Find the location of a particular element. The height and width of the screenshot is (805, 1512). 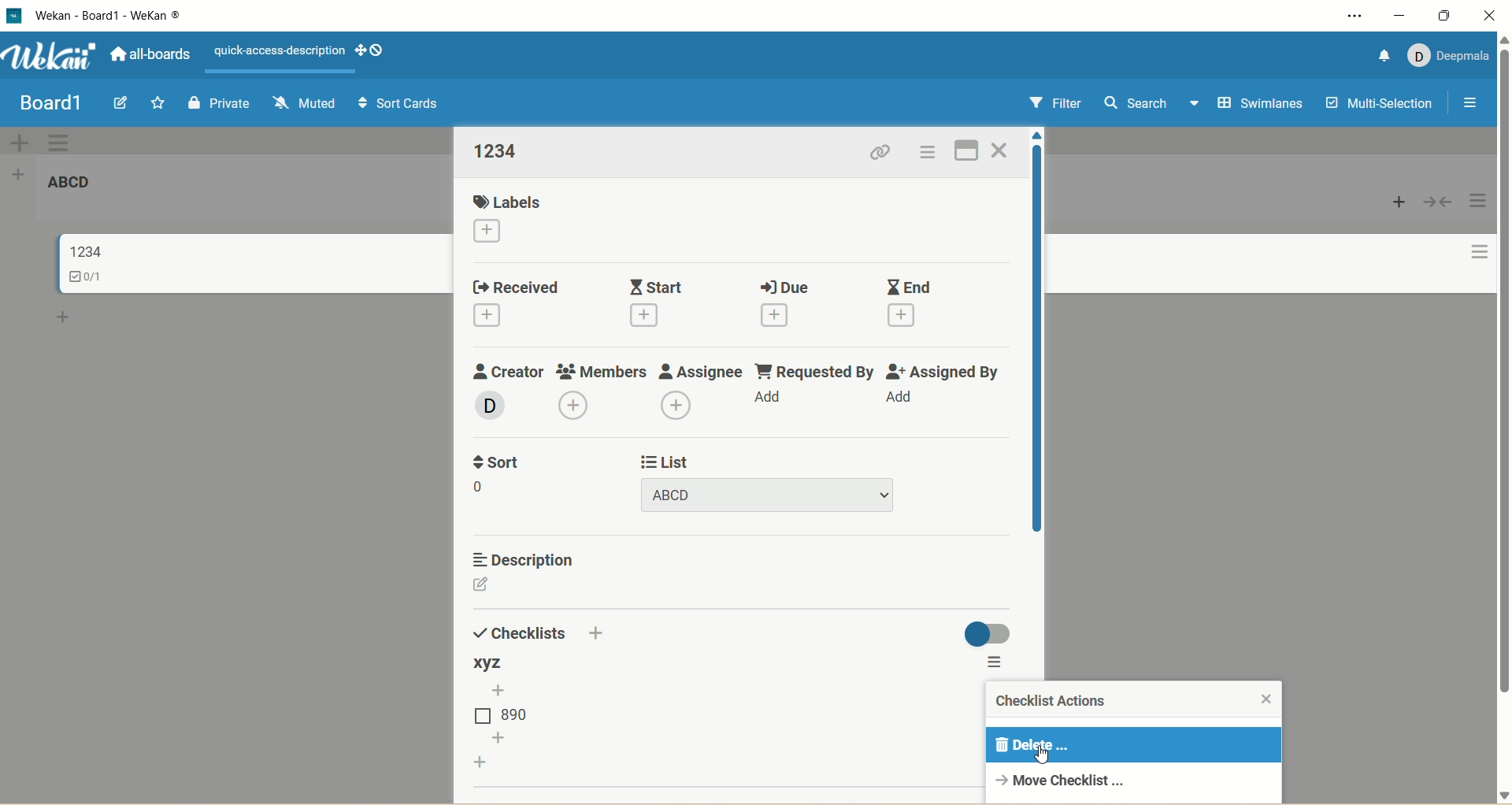

swimlane action is located at coordinates (65, 142).